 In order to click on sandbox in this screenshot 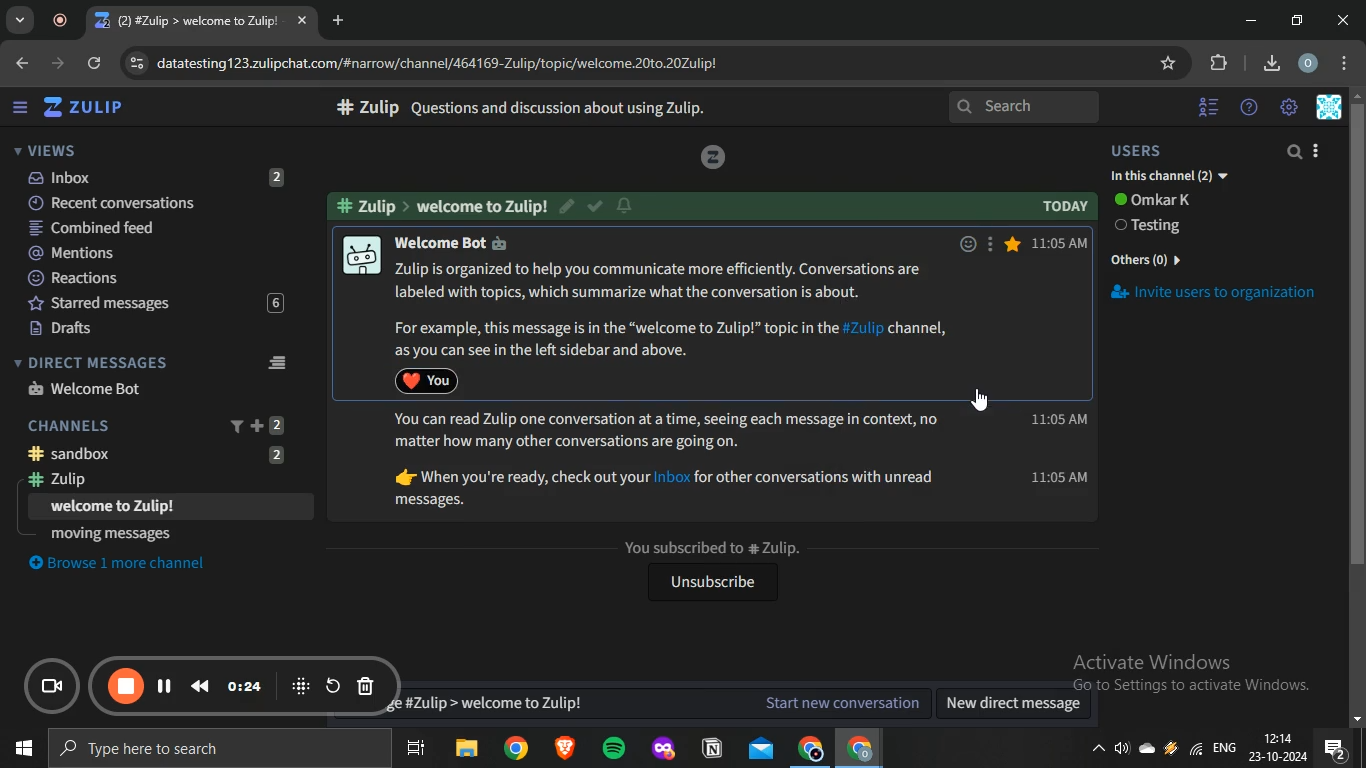, I will do `click(166, 453)`.